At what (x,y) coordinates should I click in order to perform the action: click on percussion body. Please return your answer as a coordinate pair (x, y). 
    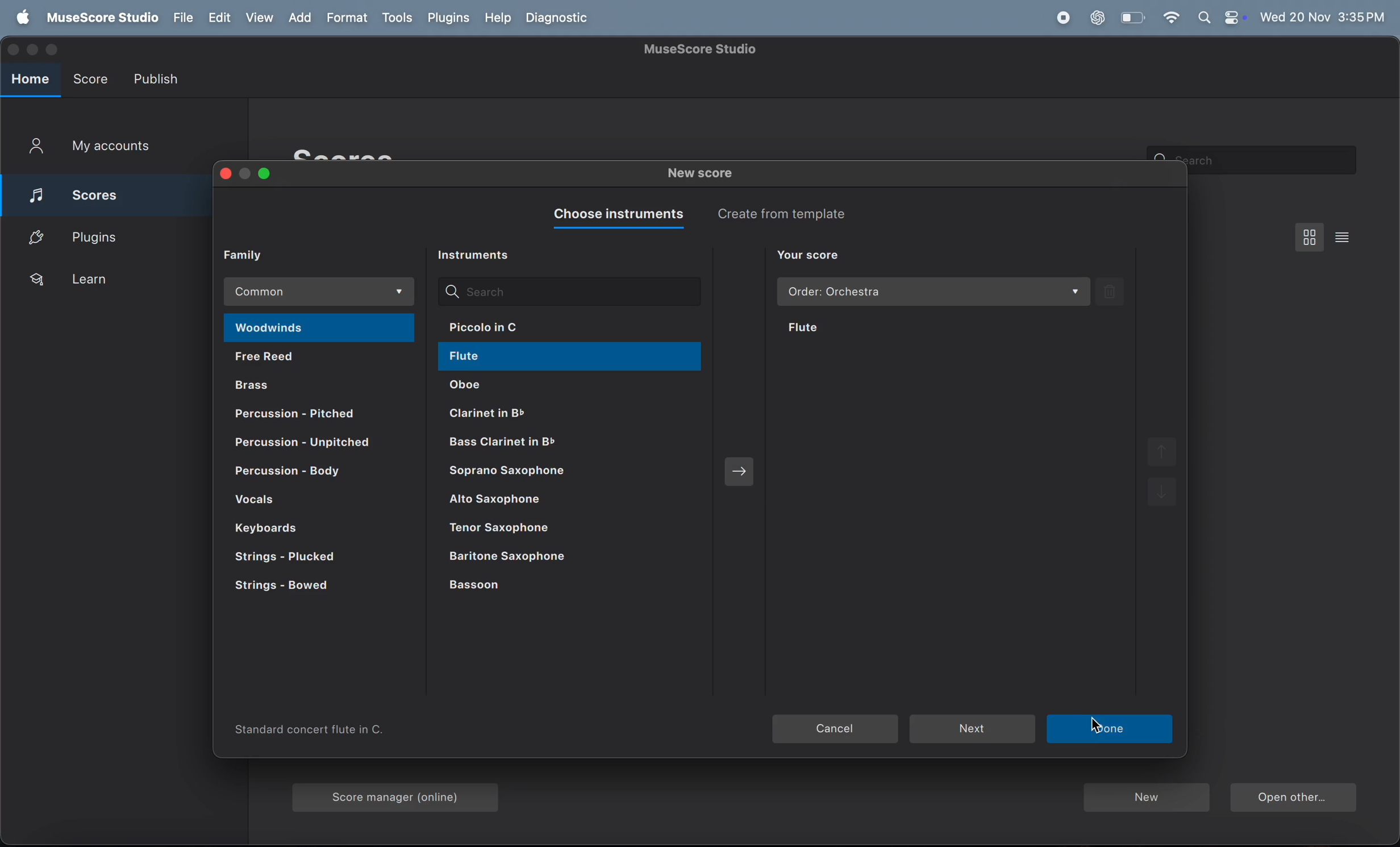
    Looking at the image, I should click on (315, 473).